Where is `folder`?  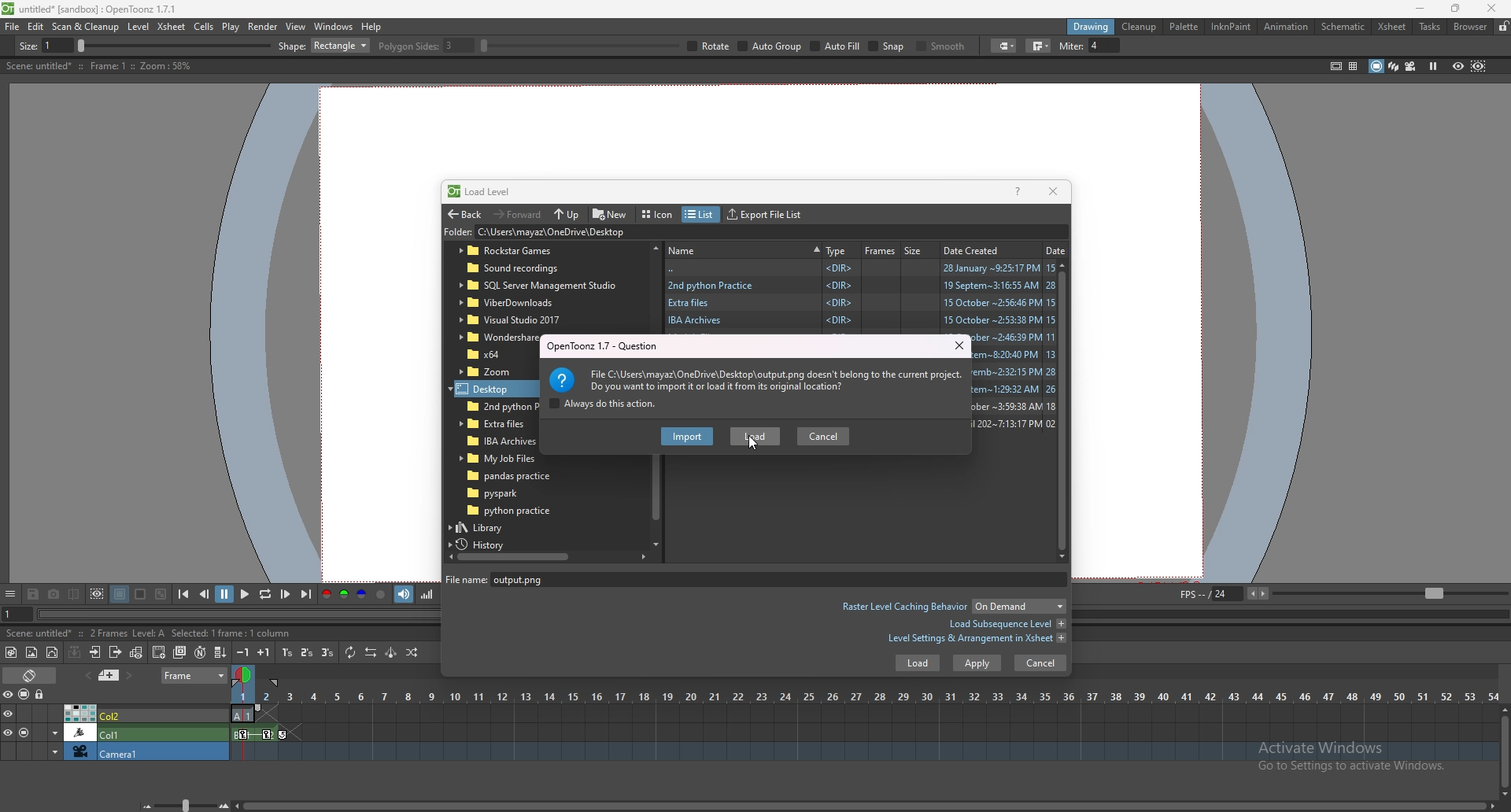
folder is located at coordinates (861, 302).